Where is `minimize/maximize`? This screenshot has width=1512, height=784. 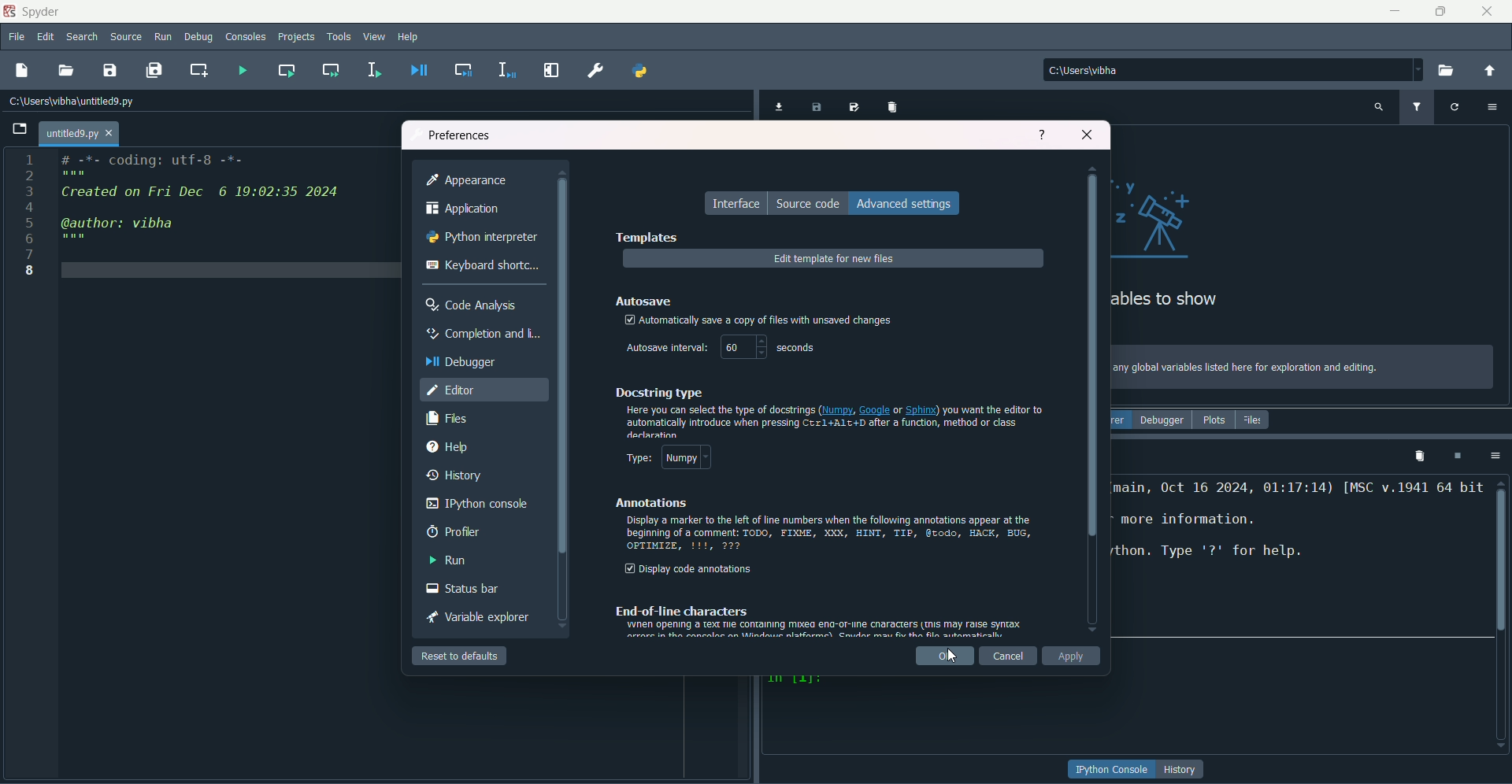 minimize/maximize is located at coordinates (1440, 11).